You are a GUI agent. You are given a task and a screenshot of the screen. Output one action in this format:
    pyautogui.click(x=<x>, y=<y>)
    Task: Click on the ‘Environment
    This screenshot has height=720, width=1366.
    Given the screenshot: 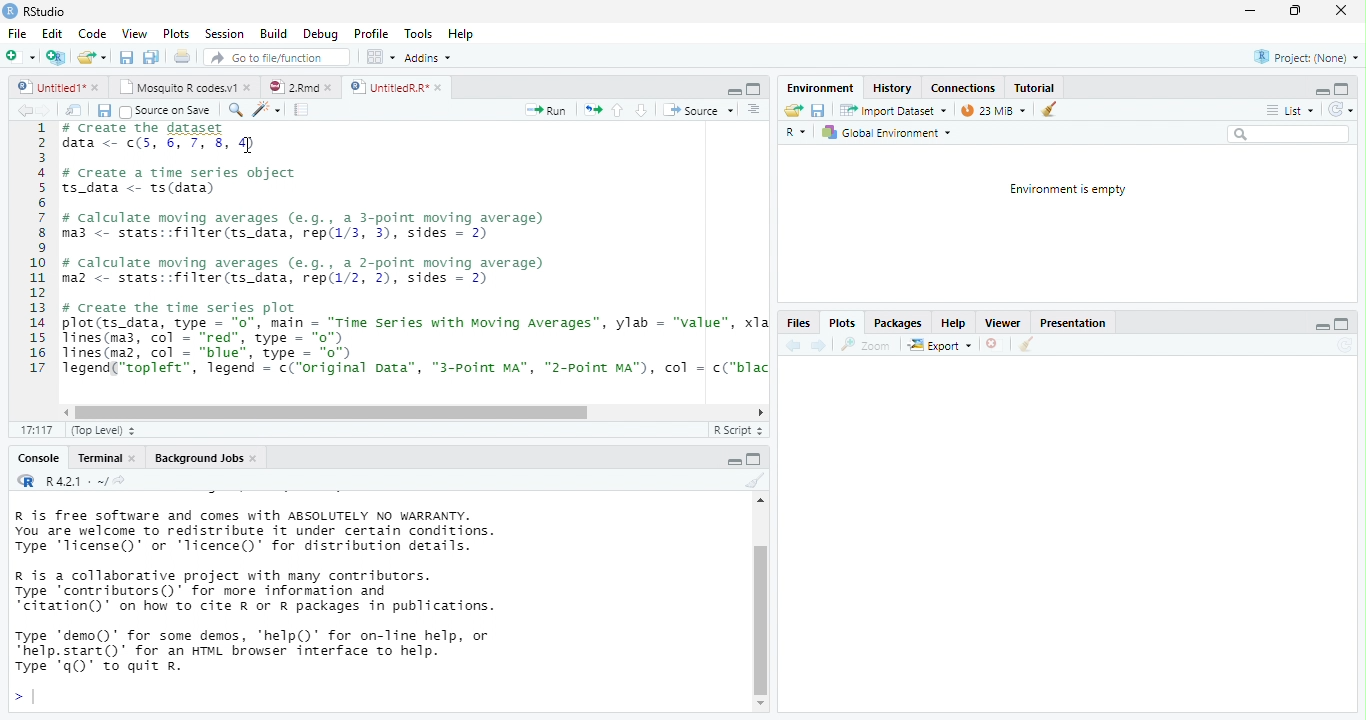 What is the action you would take?
    pyautogui.click(x=819, y=88)
    